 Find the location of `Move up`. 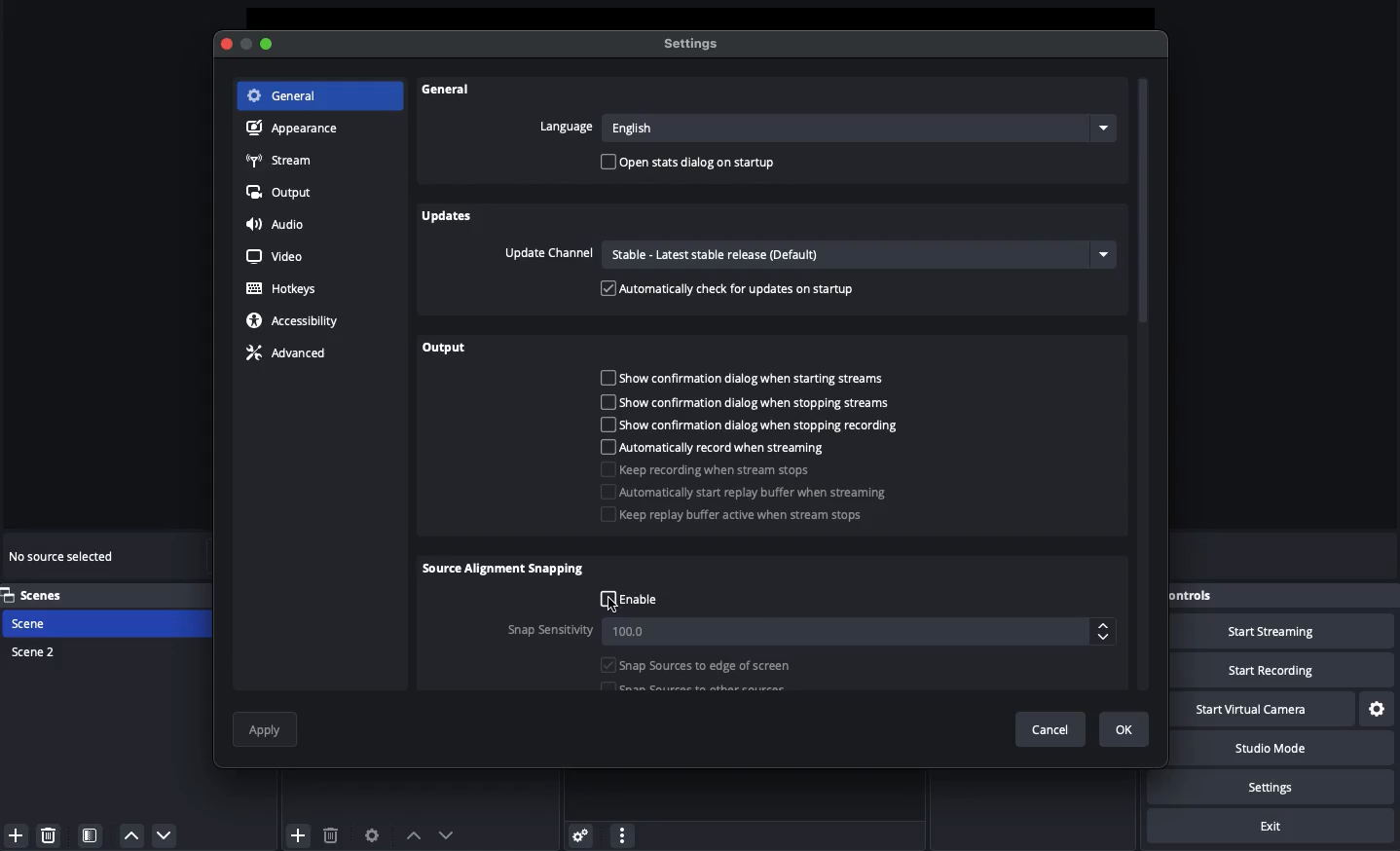

Move up is located at coordinates (131, 836).